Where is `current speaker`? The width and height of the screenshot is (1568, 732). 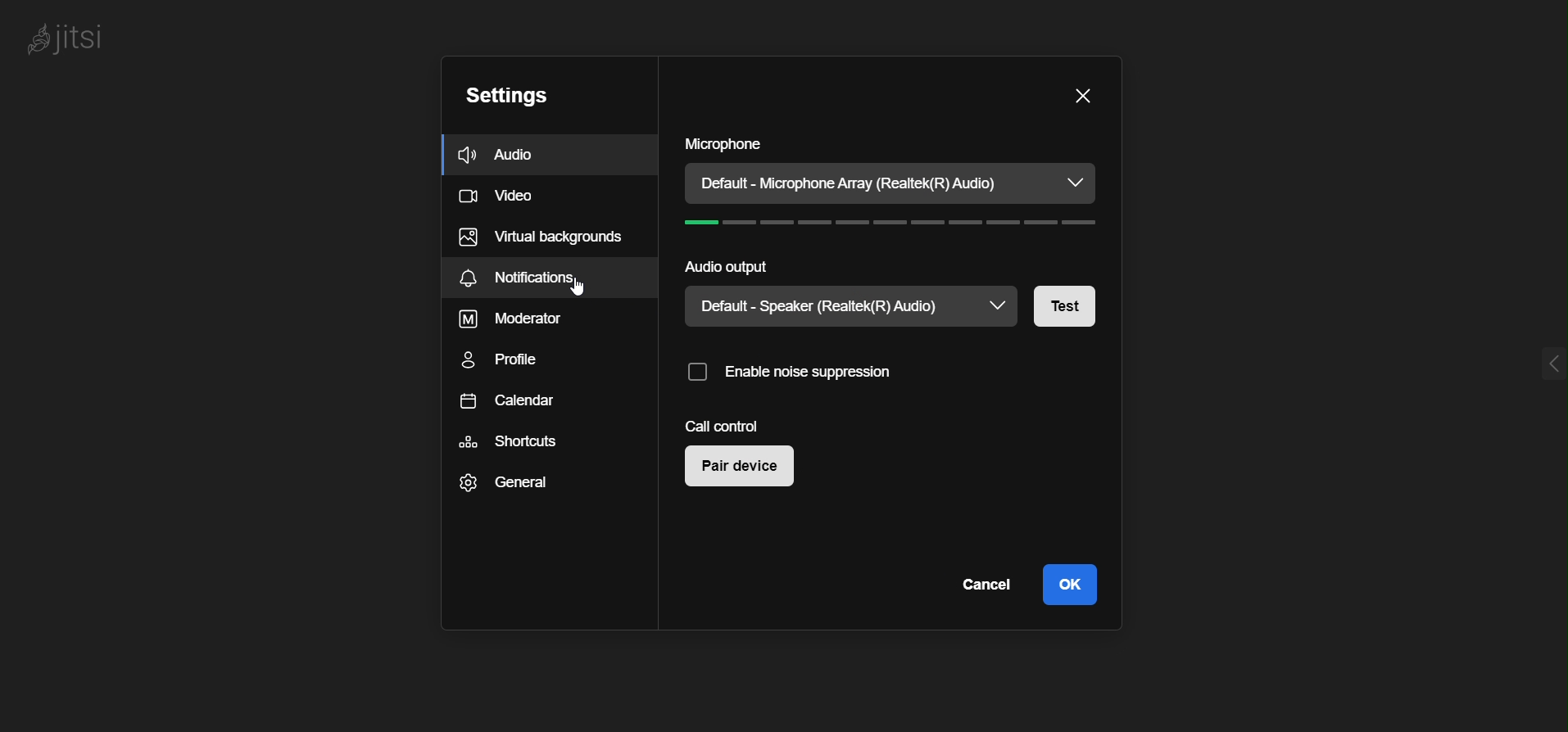
current speaker is located at coordinates (831, 306).